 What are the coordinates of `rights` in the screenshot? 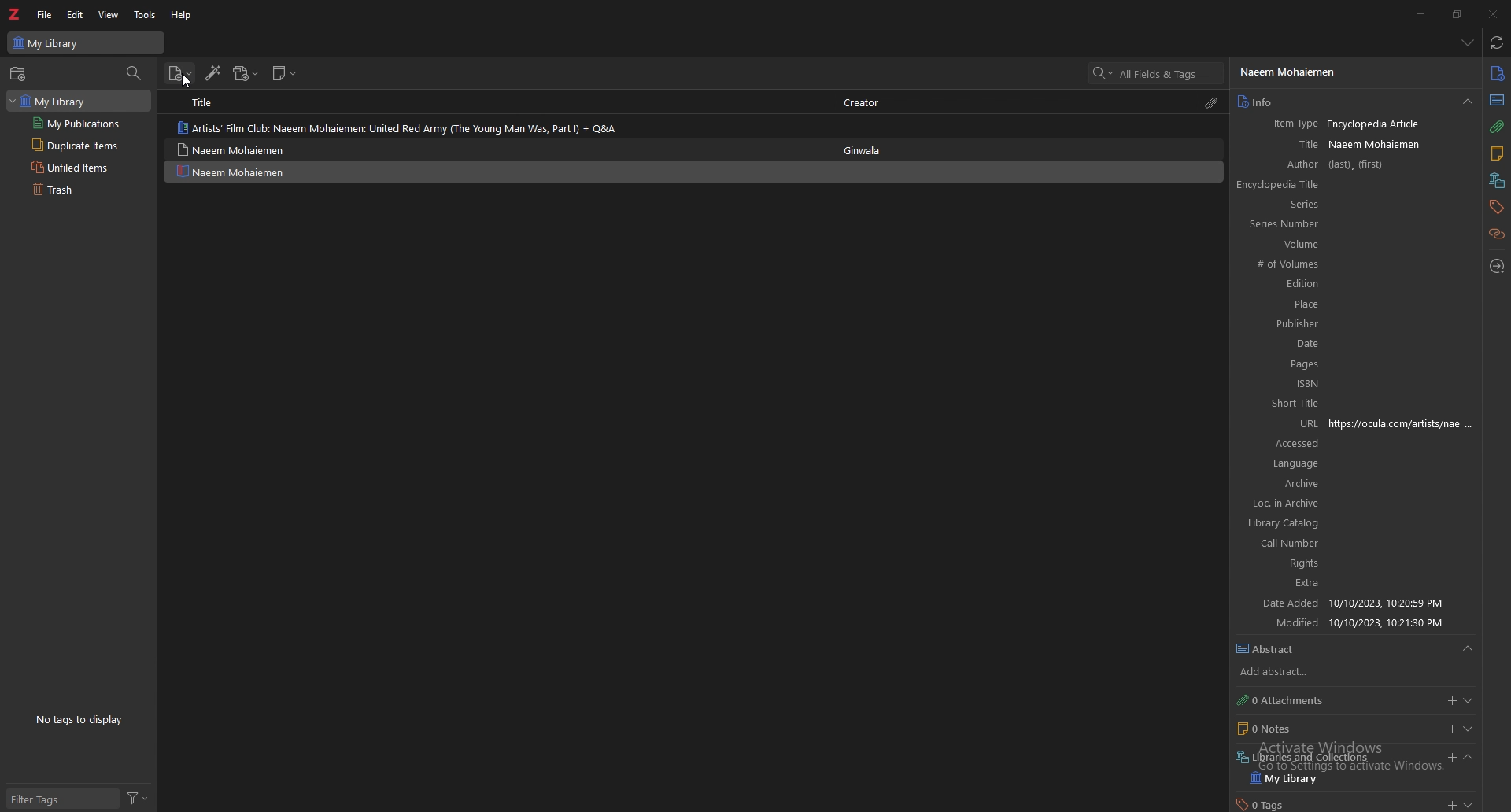 It's located at (1281, 563).